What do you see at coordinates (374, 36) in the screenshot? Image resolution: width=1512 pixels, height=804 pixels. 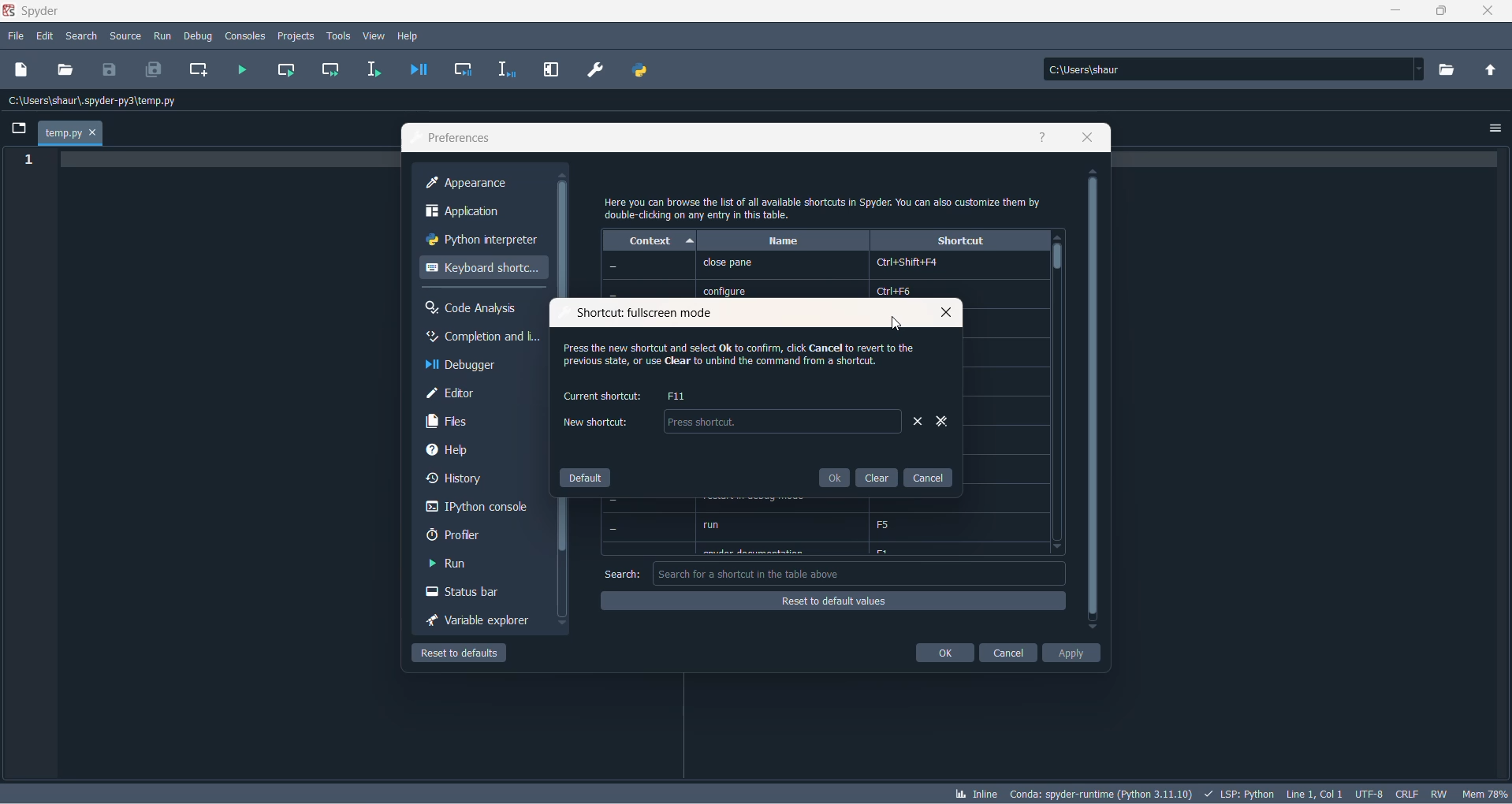 I see `view` at bounding box center [374, 36].